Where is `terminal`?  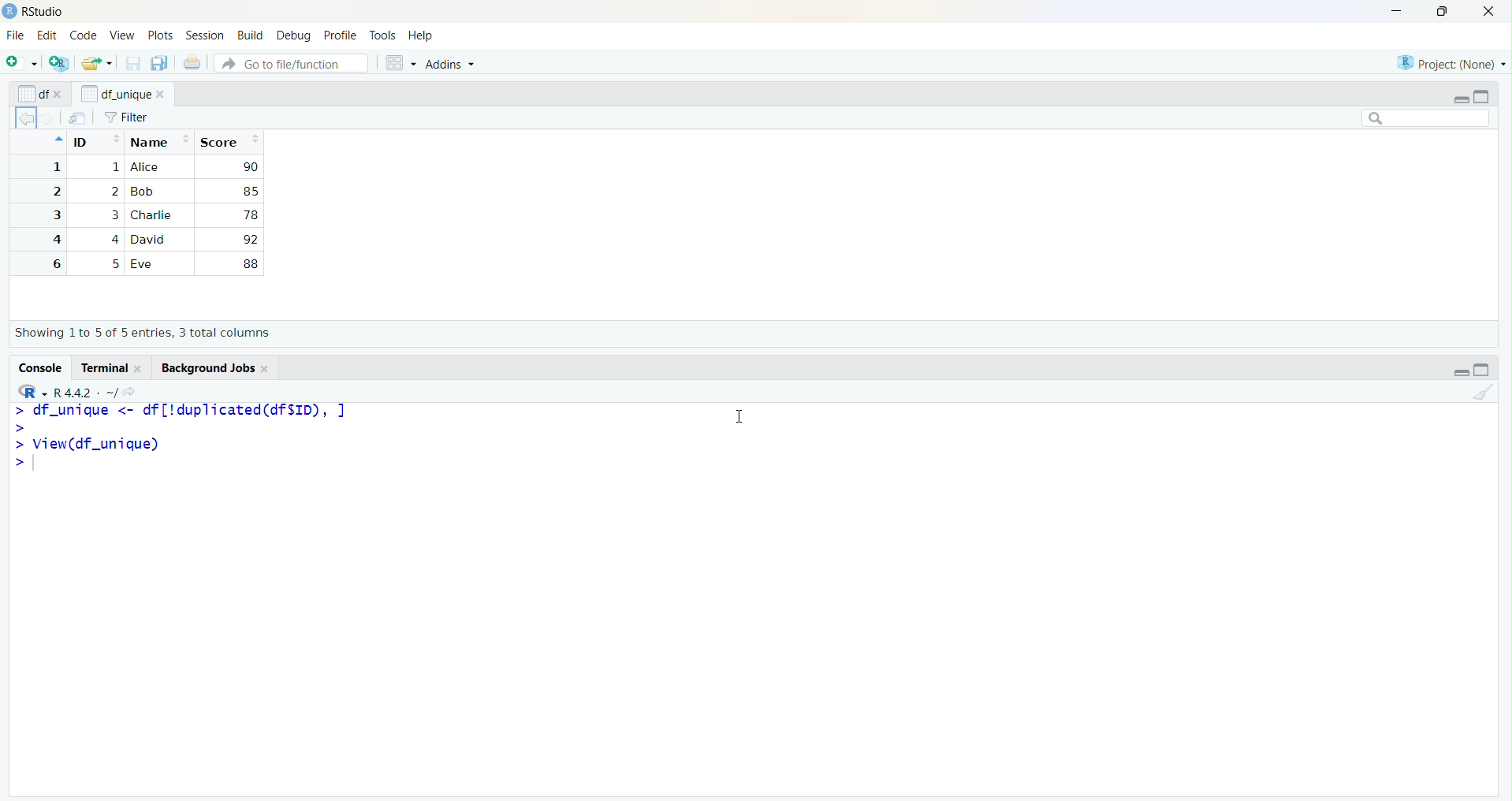 terminal is located at coordinates (102, 368).